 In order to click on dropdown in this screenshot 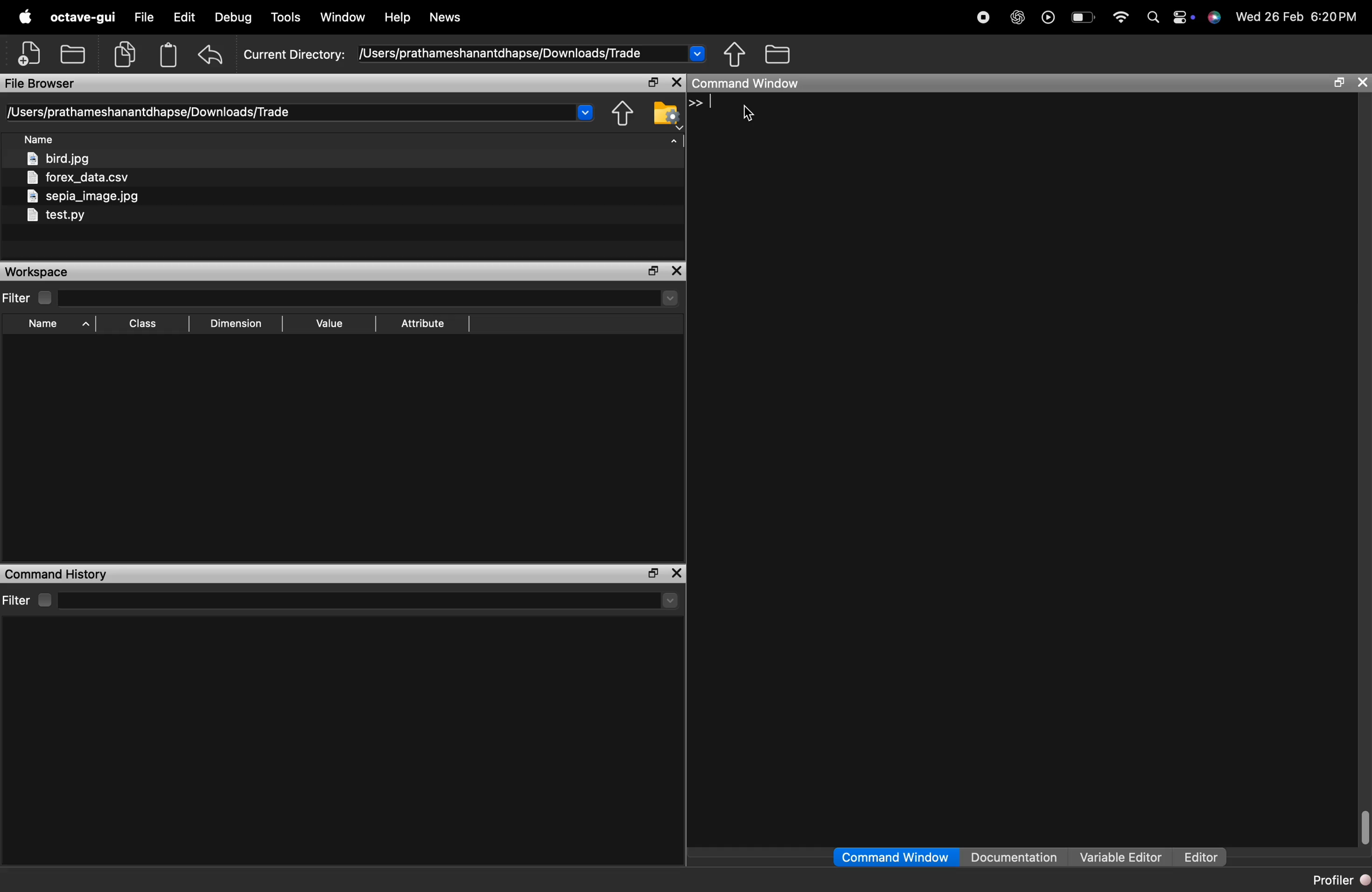, I will do `click(698, 53)`.